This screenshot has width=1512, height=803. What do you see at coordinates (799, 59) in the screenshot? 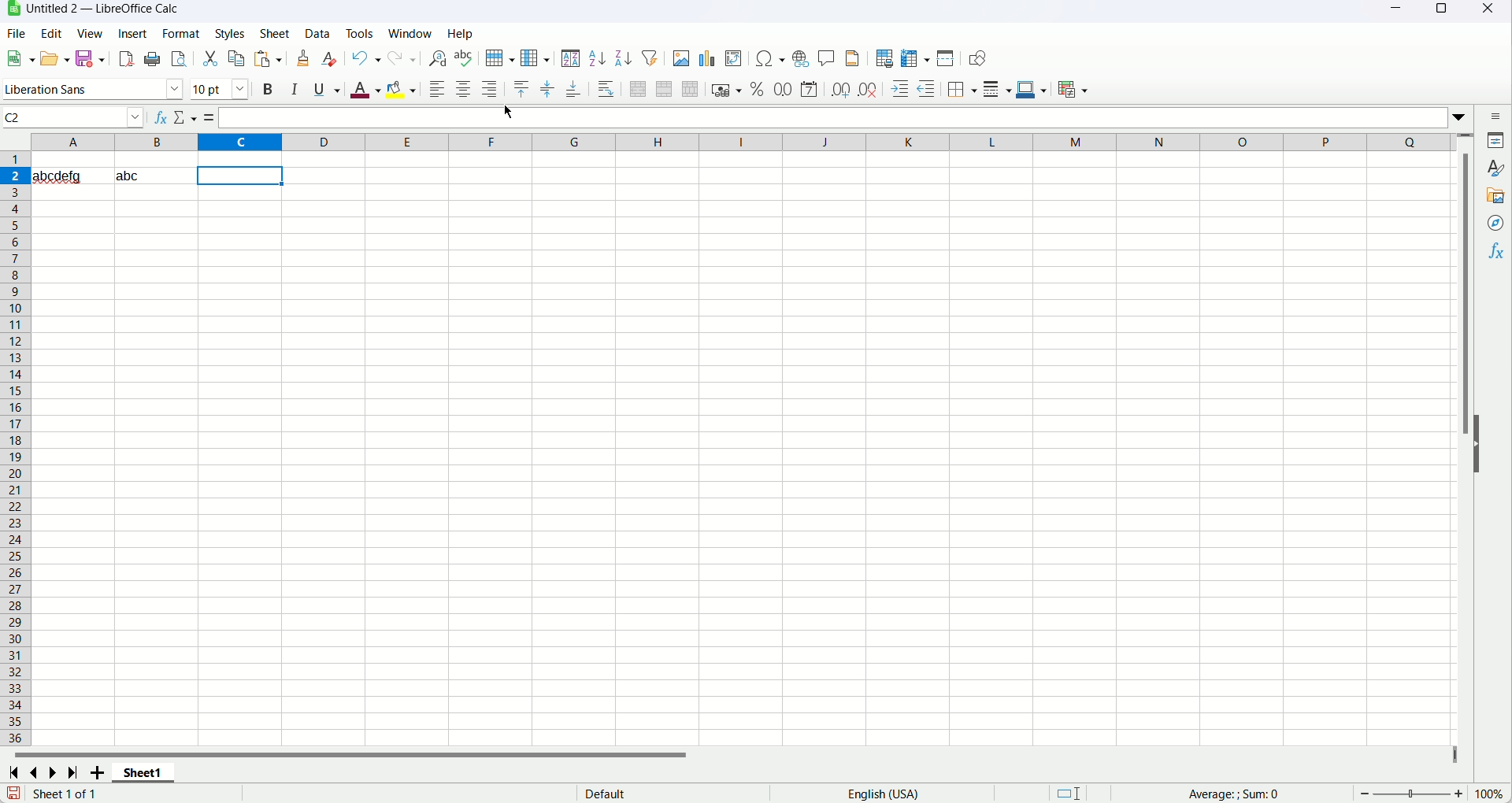
I see `insert hyperlink` at bounding box center [799, 59].